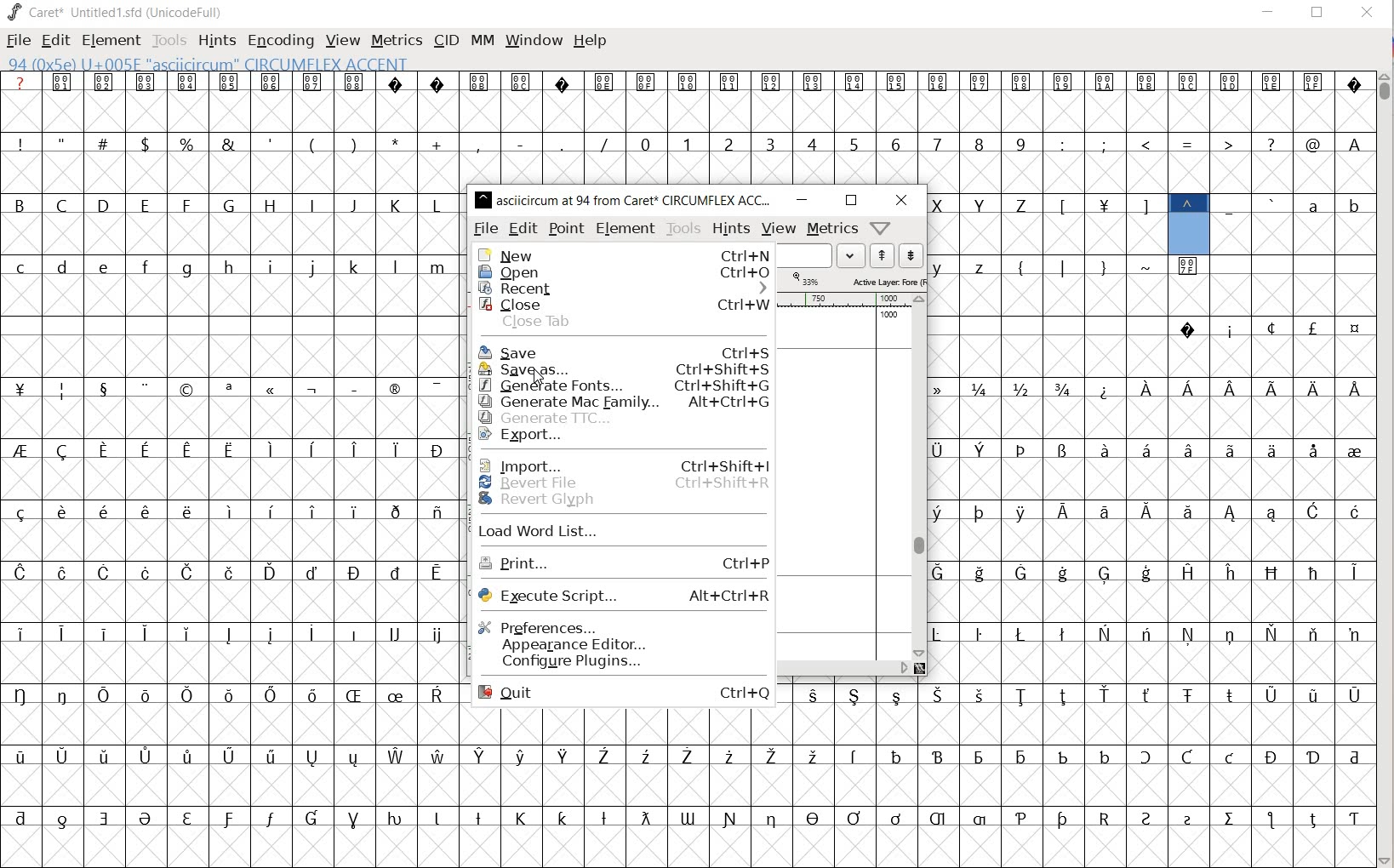 The width and height of the screenshot is (1394, 868). What do you see at coordinates (843, 300) in the screenshot?
I see `ruler` at bounding box center [843, 300].